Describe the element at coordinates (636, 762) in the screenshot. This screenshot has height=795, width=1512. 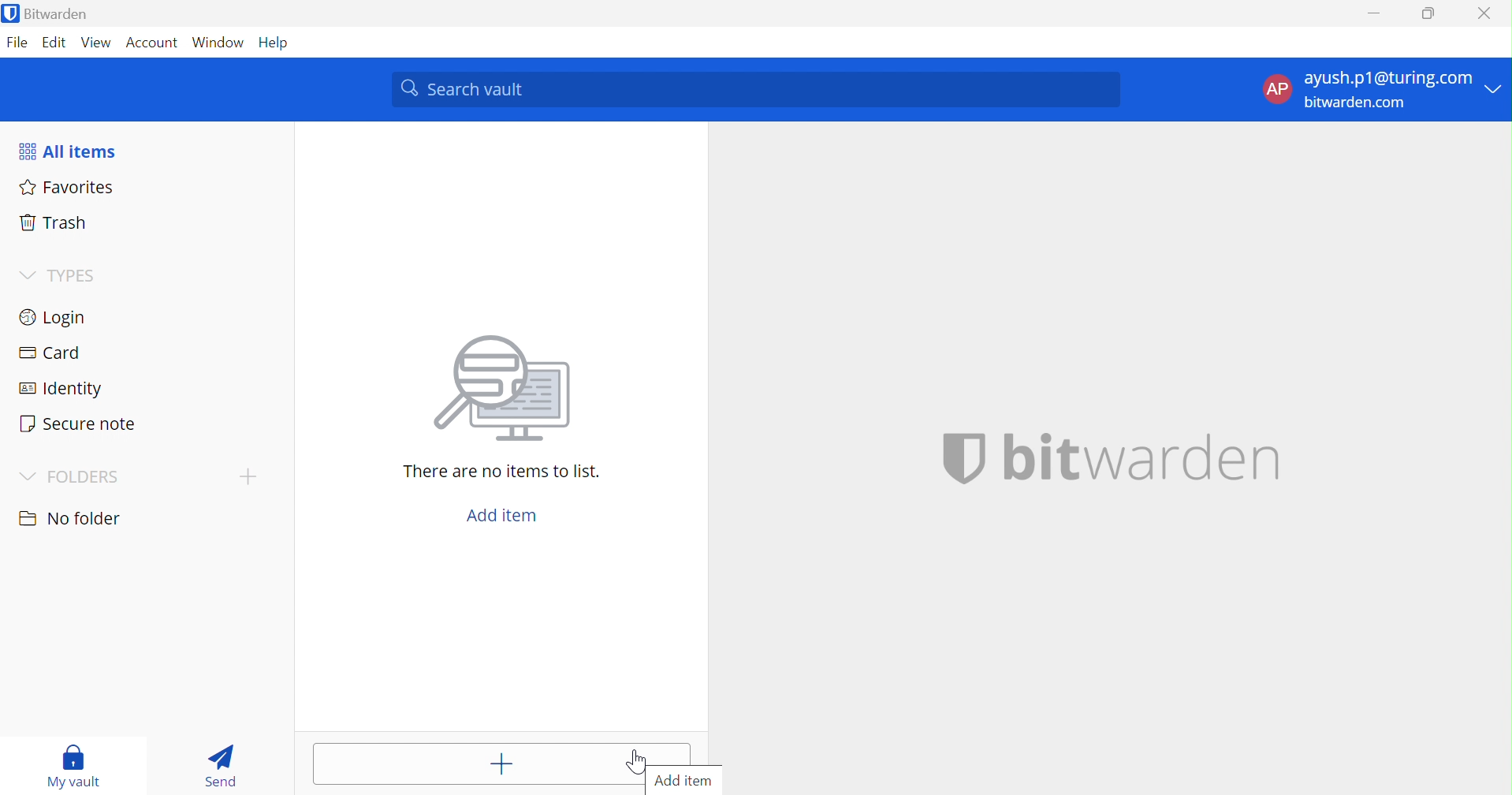
I see `Cursor` at that location.